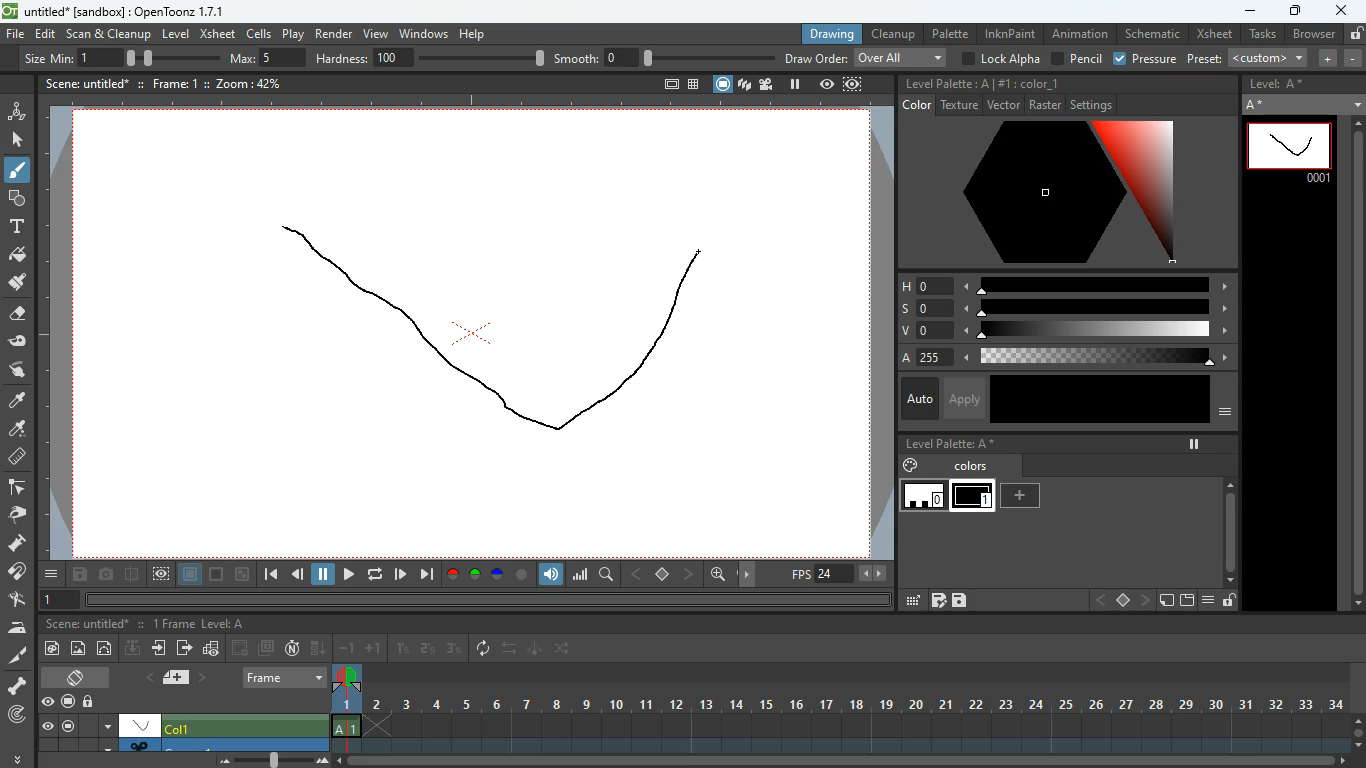 Image resolution: width=1366 pixels, height=768 pixels. I want to click on search, so click(608, 577).